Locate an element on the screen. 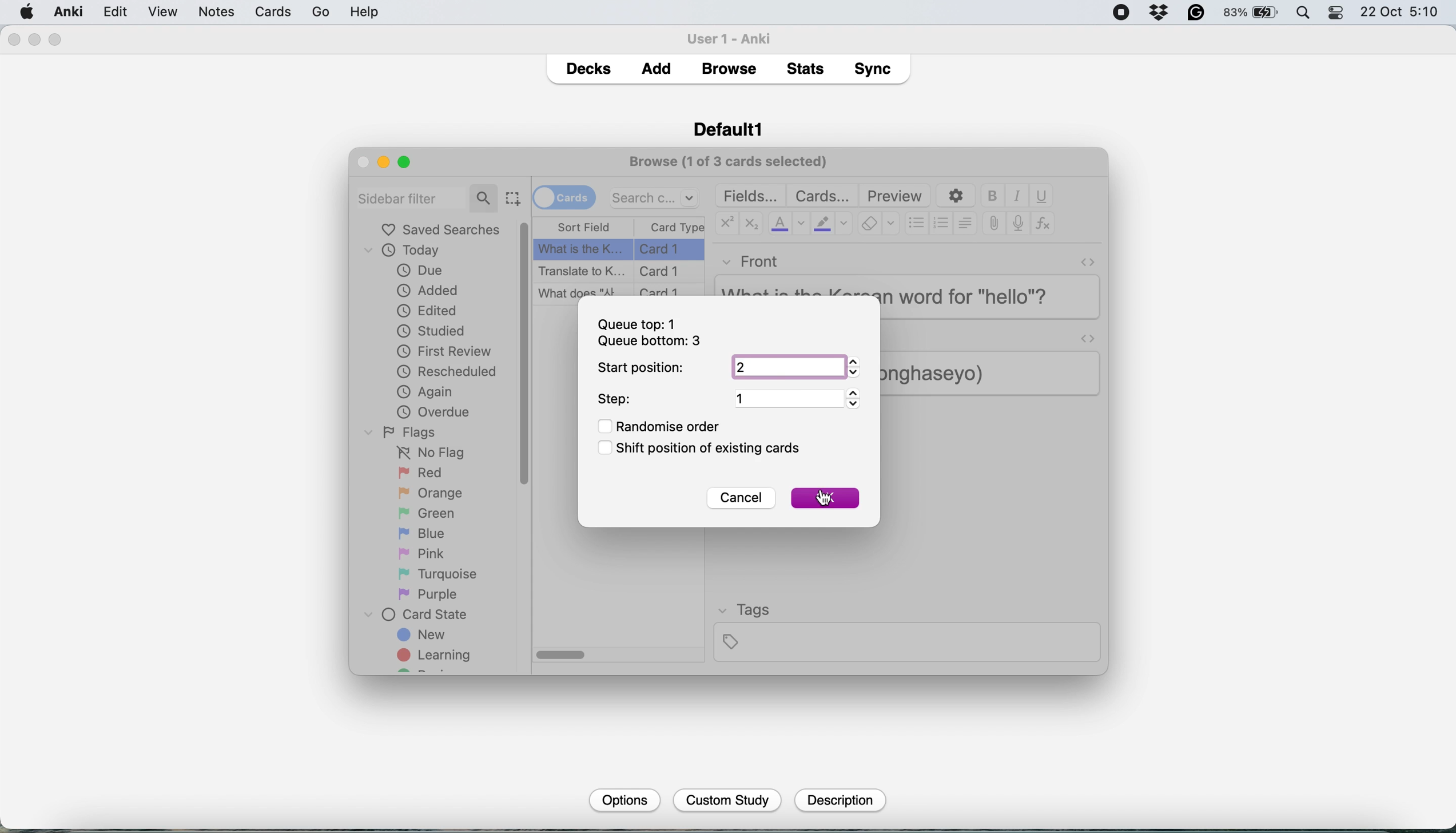 Image resolution: width=1456 pixels, height=833 pixels. overdue is located at coordinates (432, 412).